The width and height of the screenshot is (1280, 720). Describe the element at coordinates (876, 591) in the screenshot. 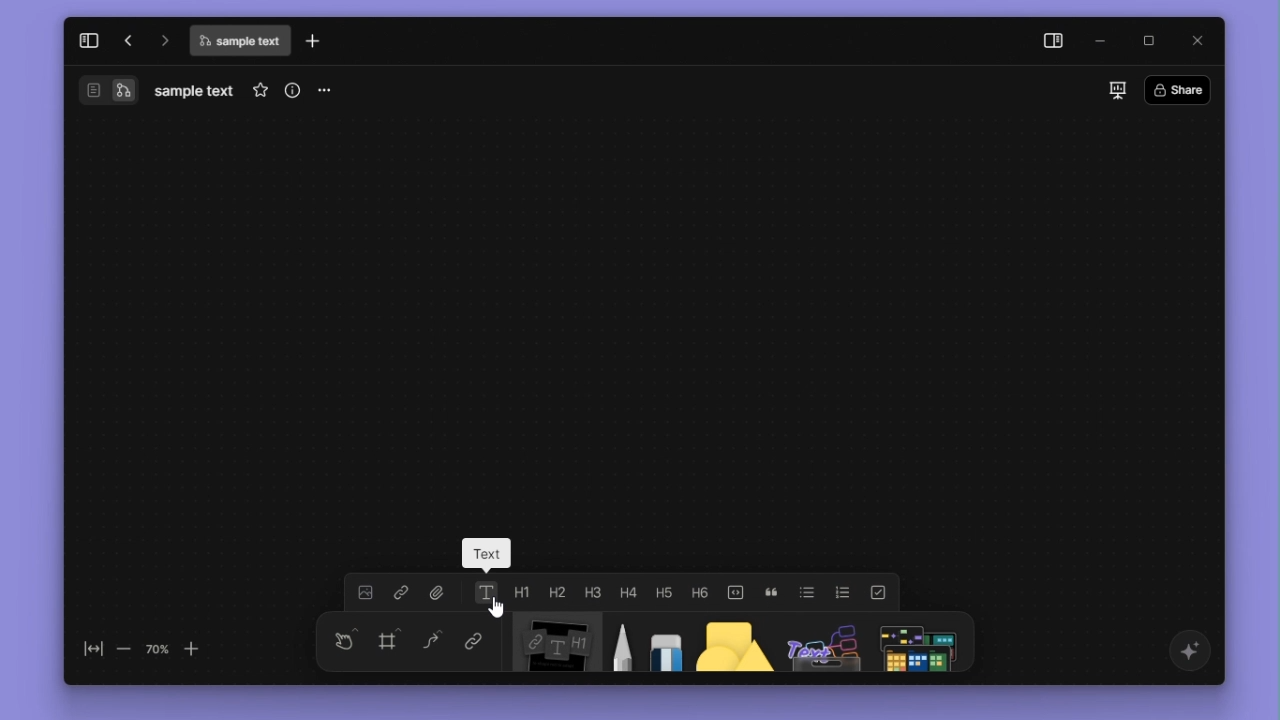

I see `to do list` at that location.